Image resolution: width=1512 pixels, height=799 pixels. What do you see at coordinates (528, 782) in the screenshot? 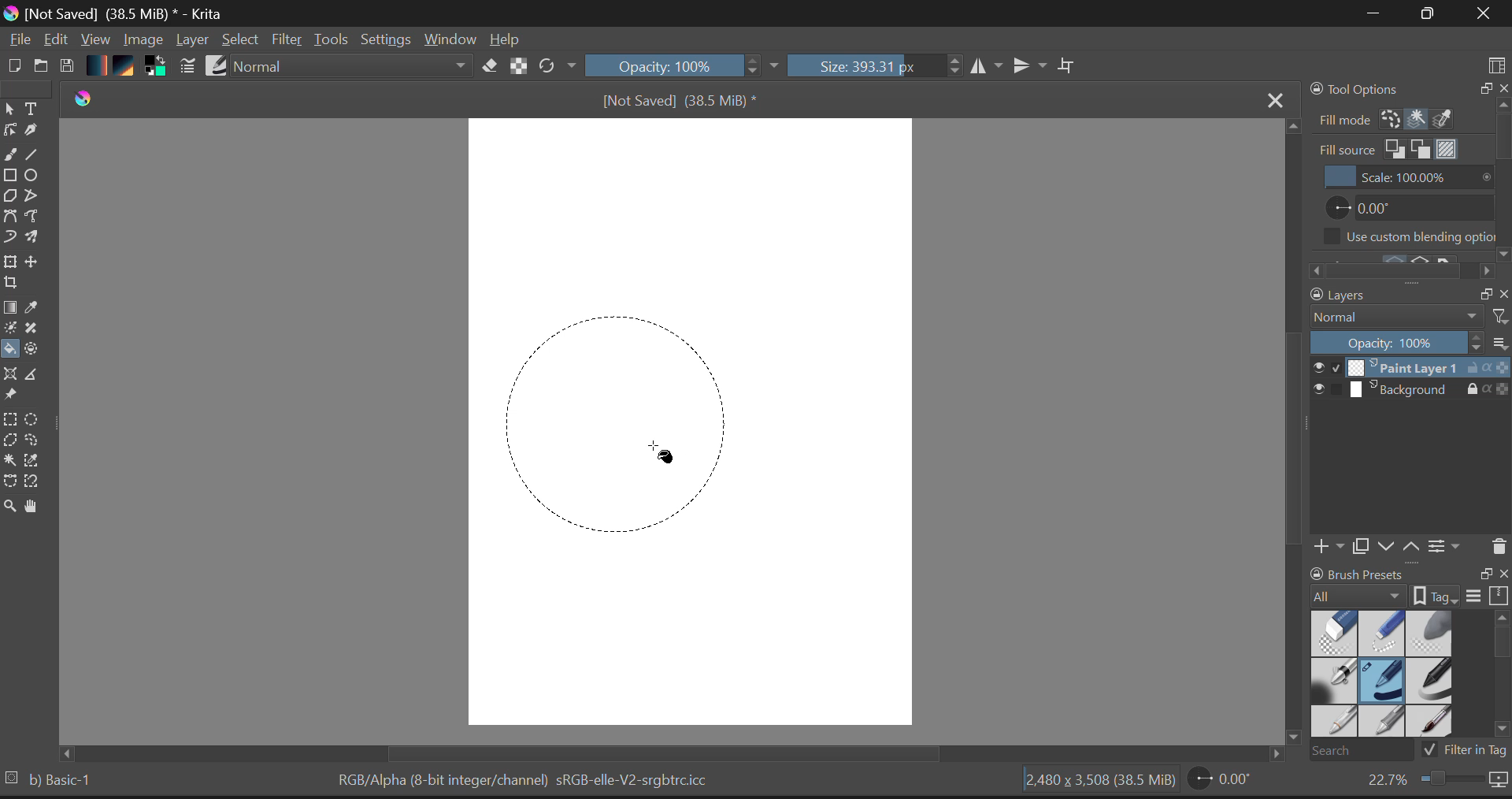
I see `Color Information` at bounding box center [528, 782].